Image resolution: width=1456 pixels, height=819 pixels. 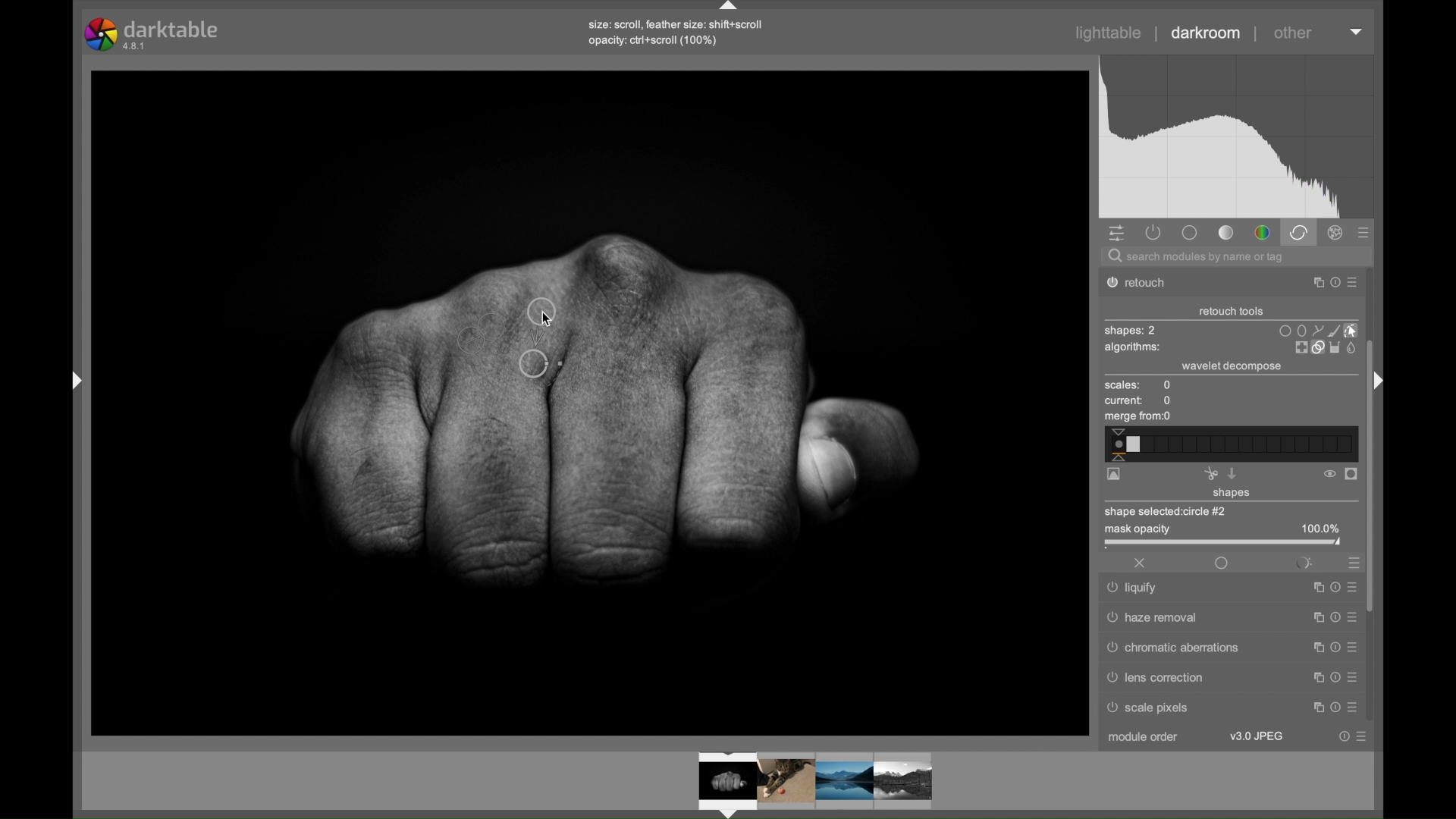 I want to click on off, so click(x=1141, y=563).